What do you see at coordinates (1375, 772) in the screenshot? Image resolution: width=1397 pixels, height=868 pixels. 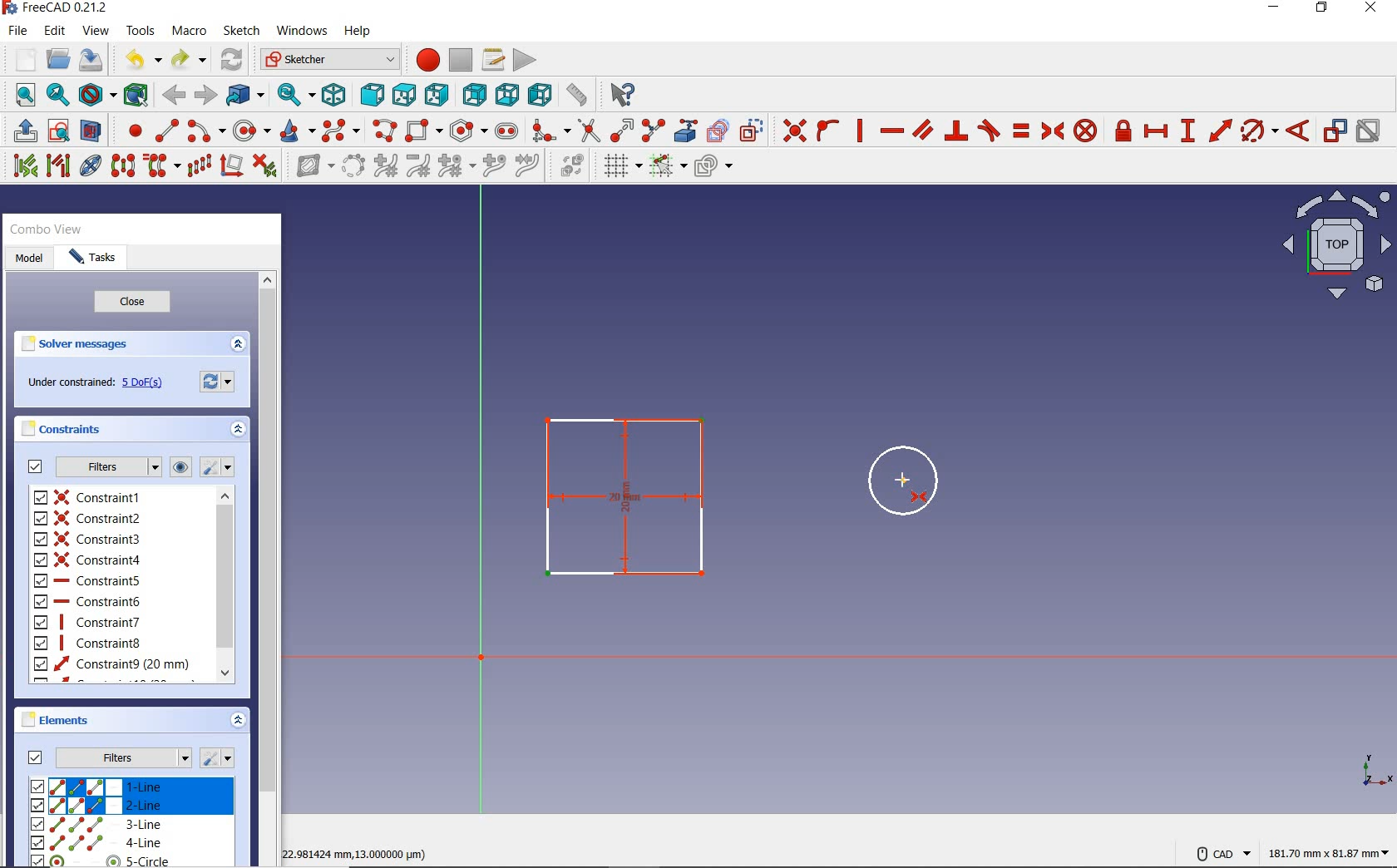 I see `xyz view` at bounding box center [1375, 772].